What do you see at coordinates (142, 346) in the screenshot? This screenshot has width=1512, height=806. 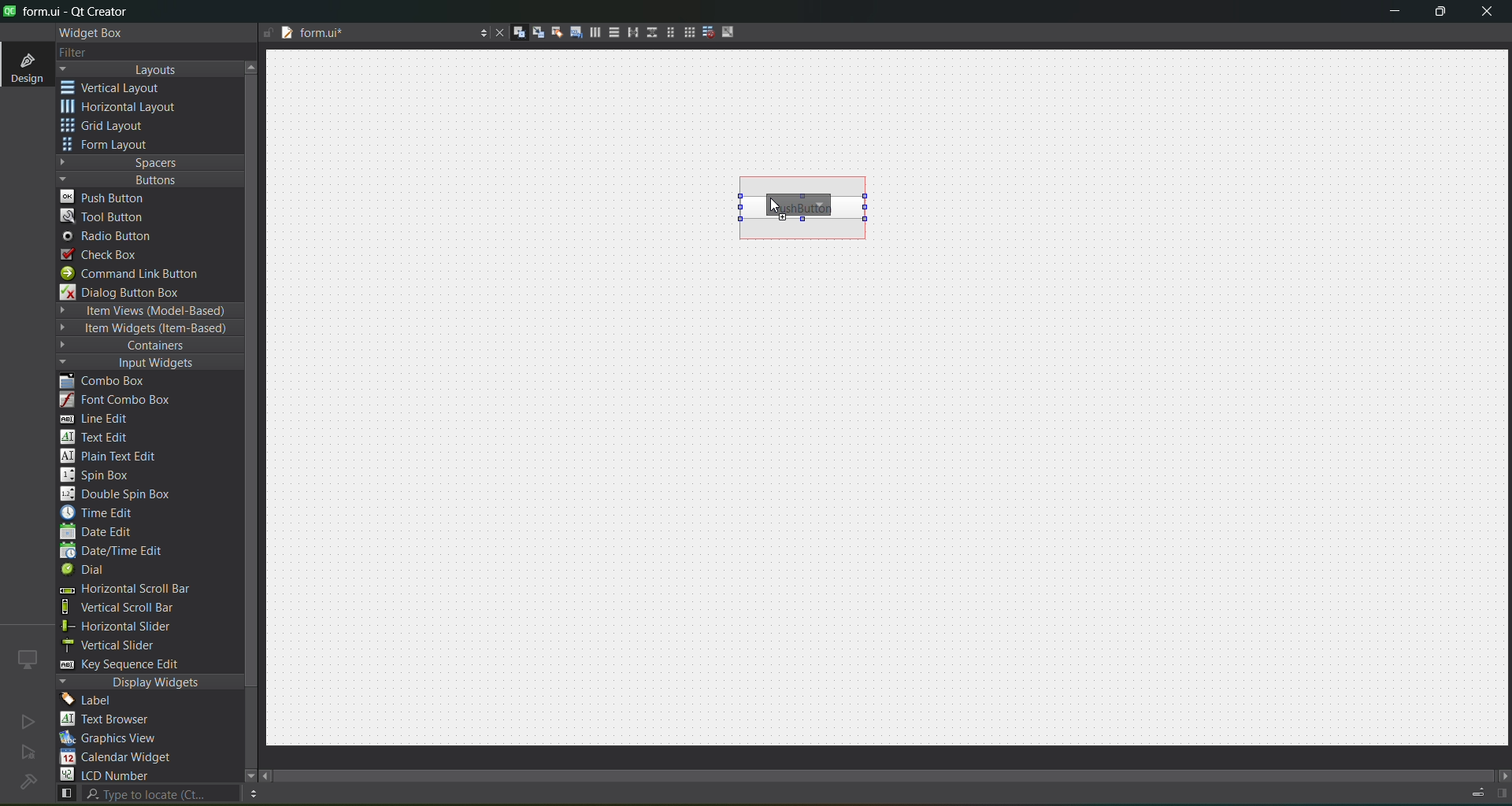 I see `containers` at bounding box center [142, 346].